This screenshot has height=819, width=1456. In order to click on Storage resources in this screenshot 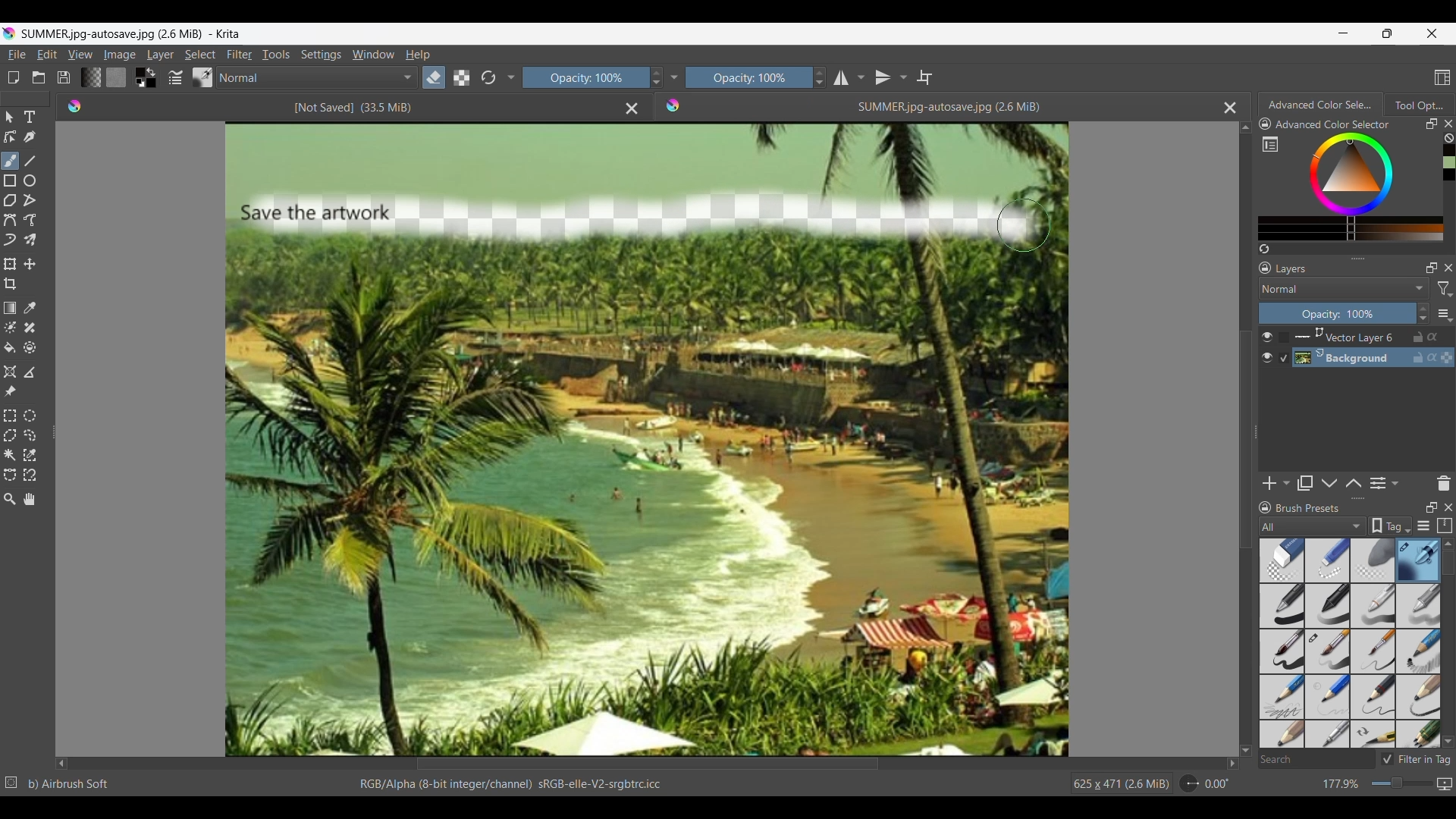, I will do `click(1443, 526)`.